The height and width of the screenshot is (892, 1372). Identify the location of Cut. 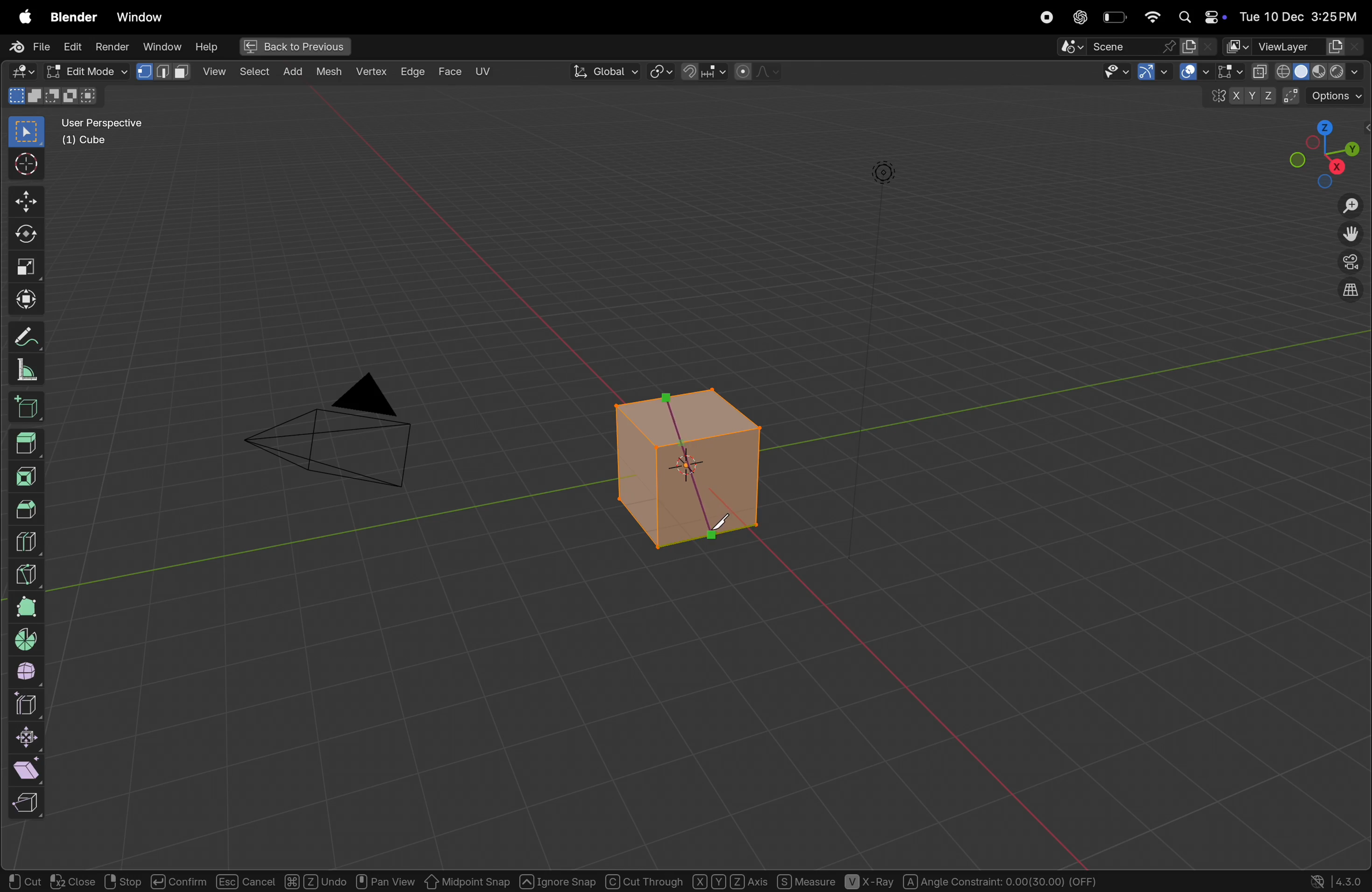
(25, 881).